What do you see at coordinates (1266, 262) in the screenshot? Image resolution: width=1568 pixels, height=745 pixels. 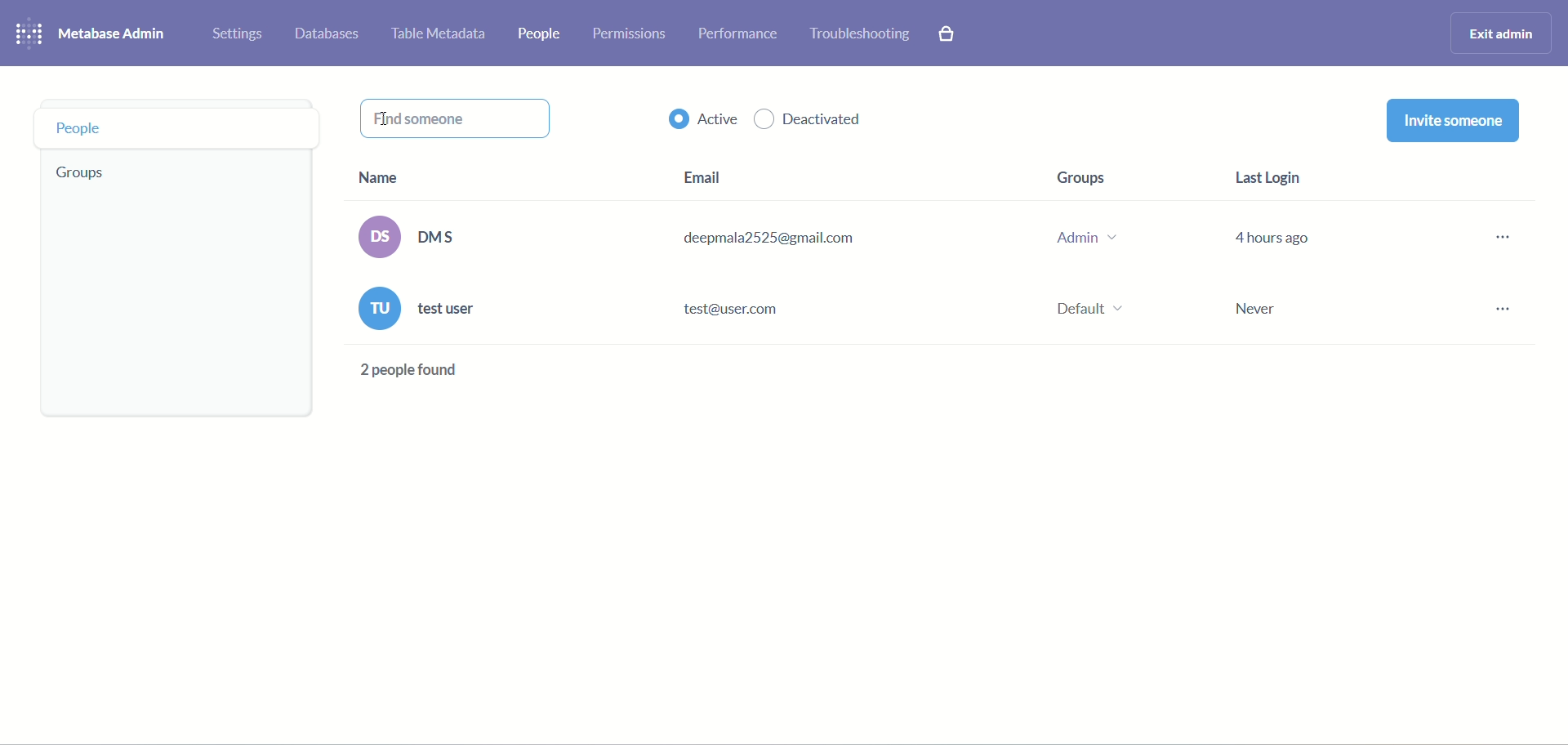 I see `last login` at bounding box center [1266, 262].